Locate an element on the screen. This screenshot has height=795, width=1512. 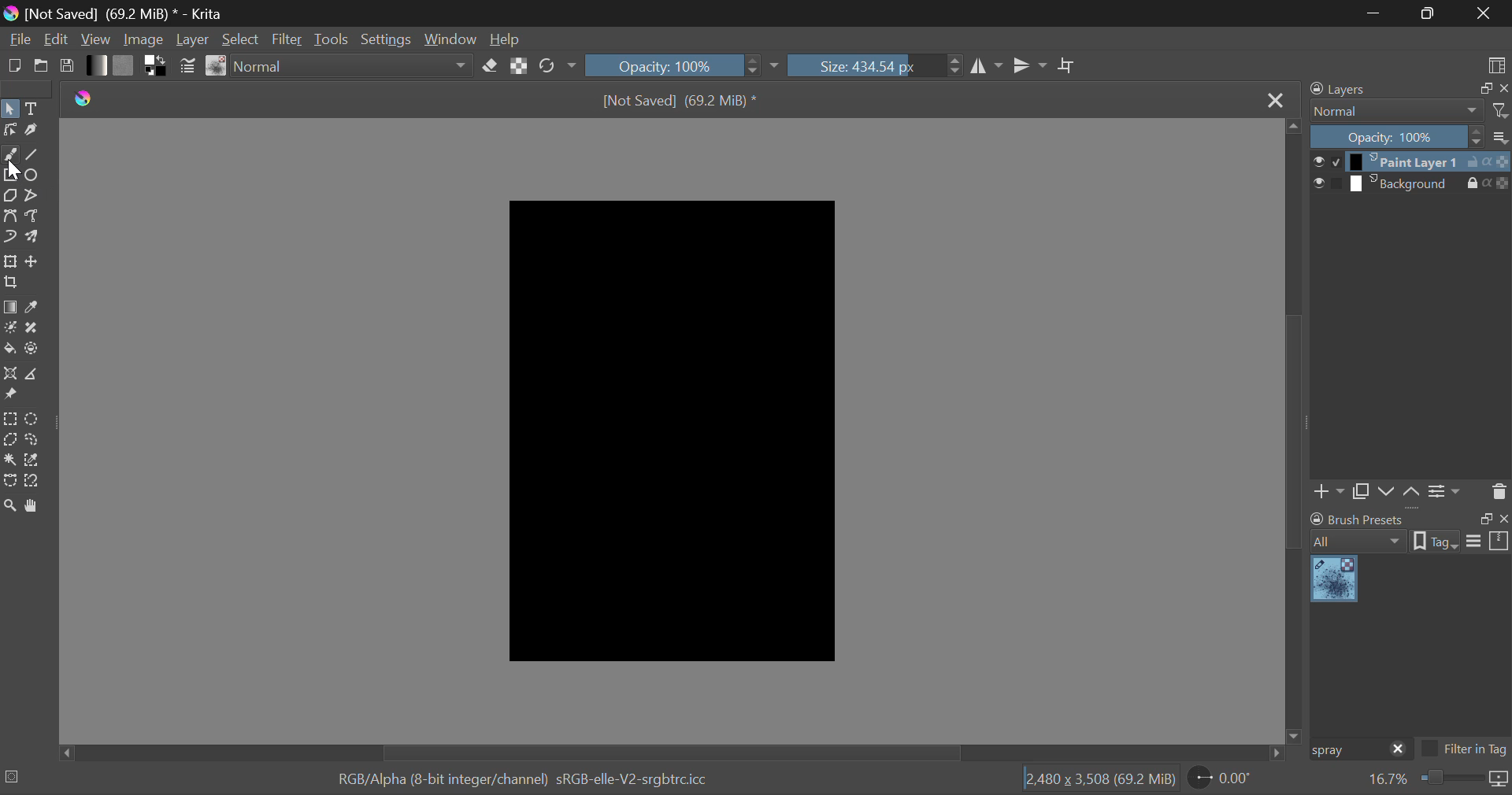
Edit Shapes is located at coordinates (11, 130).